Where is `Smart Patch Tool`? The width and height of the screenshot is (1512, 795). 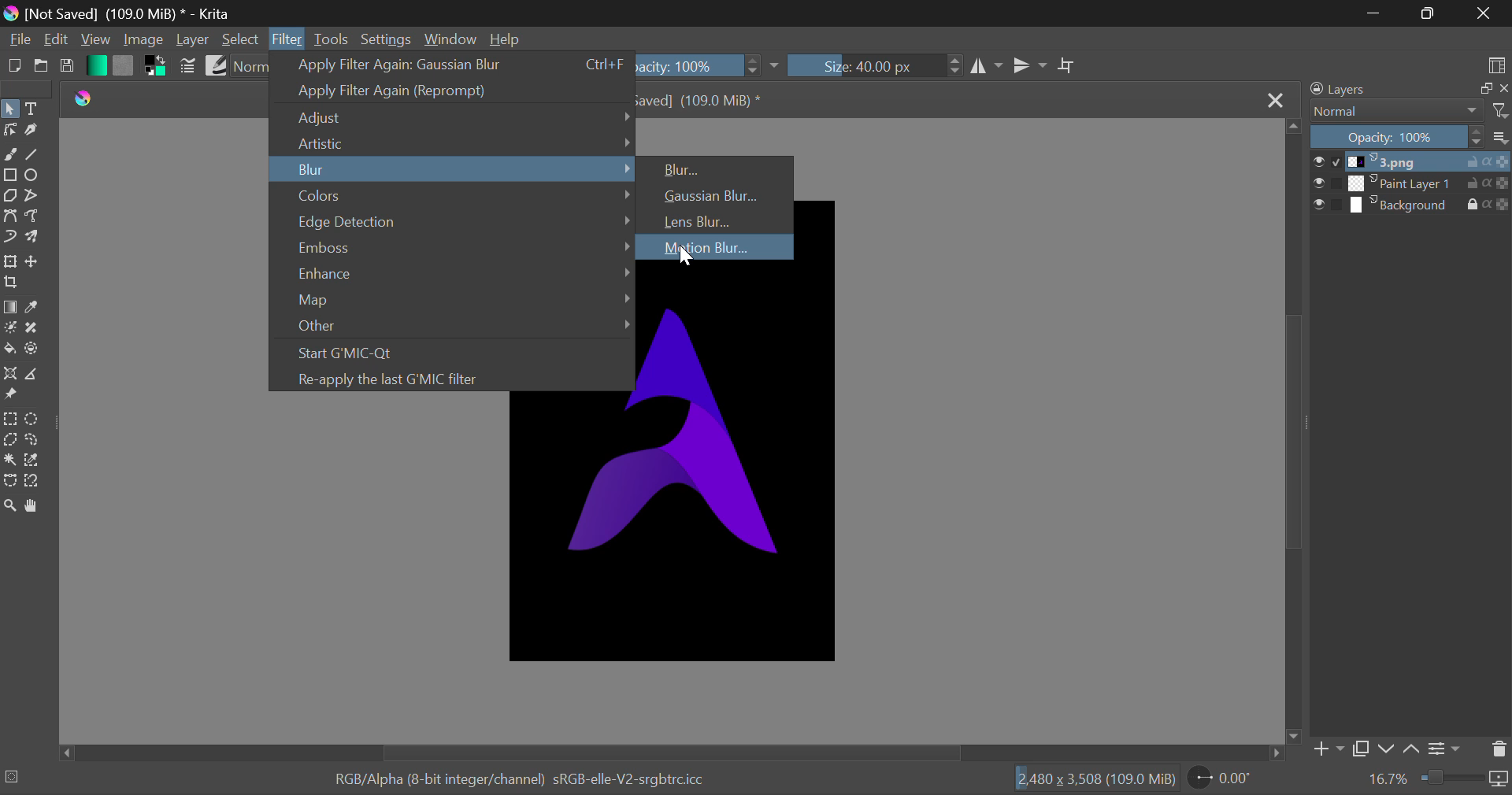 Smart Patch Tool is located at coordinates (30, 330).